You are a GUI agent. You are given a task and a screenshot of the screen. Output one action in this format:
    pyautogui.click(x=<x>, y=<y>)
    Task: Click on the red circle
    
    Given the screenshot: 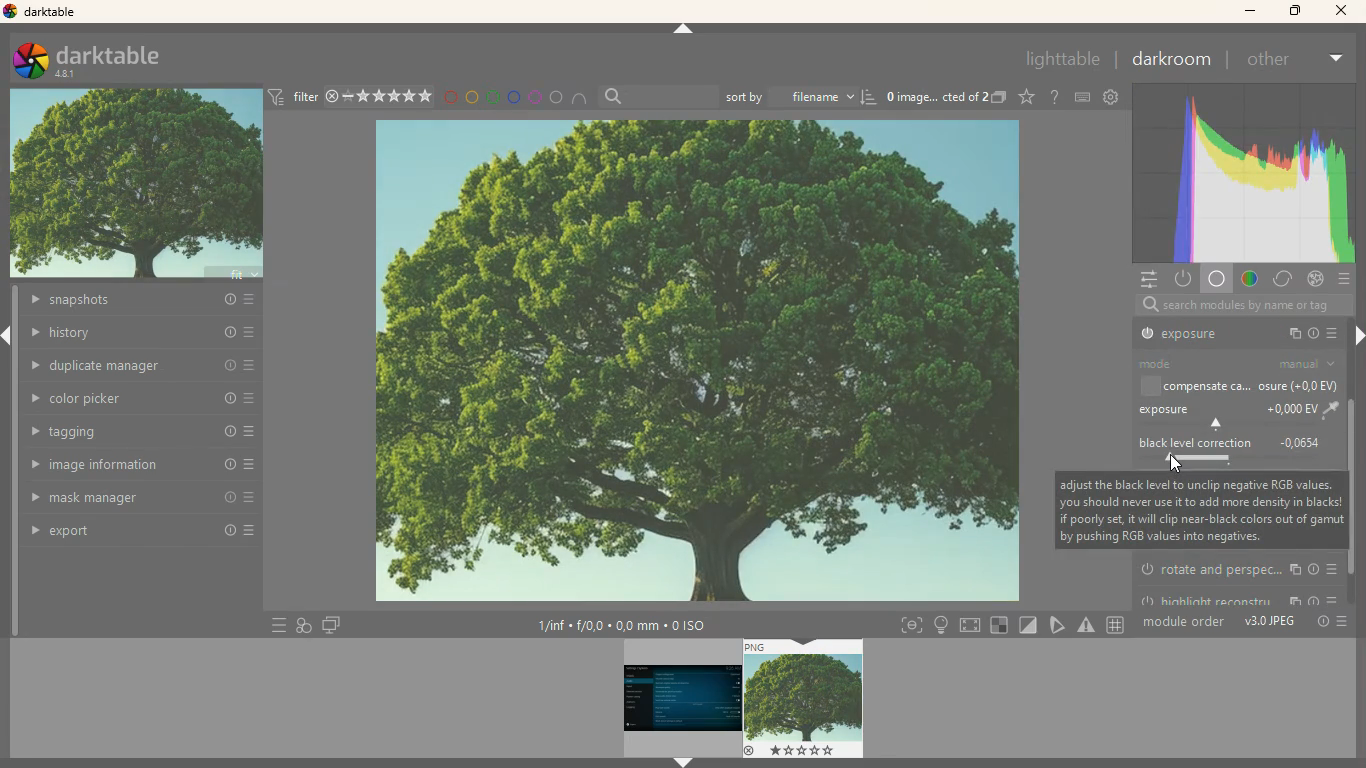 What is the action you would take?
    pyautogui.click(x=450, y=98)
    